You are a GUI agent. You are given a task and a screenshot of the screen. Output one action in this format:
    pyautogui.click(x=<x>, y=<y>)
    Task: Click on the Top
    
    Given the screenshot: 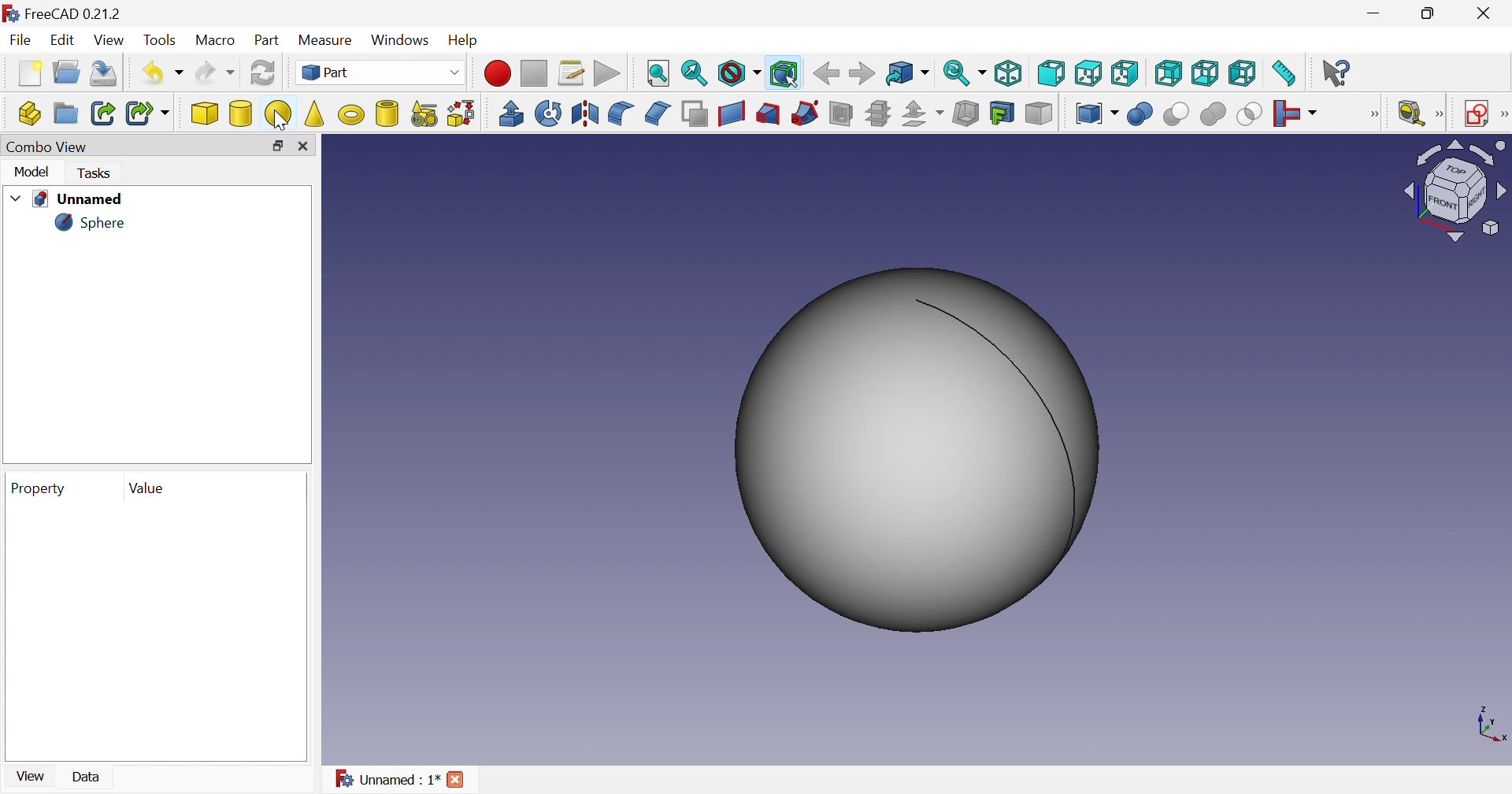 What is the action you would take?
    pyautogui.click(x=1090, y=72)
    